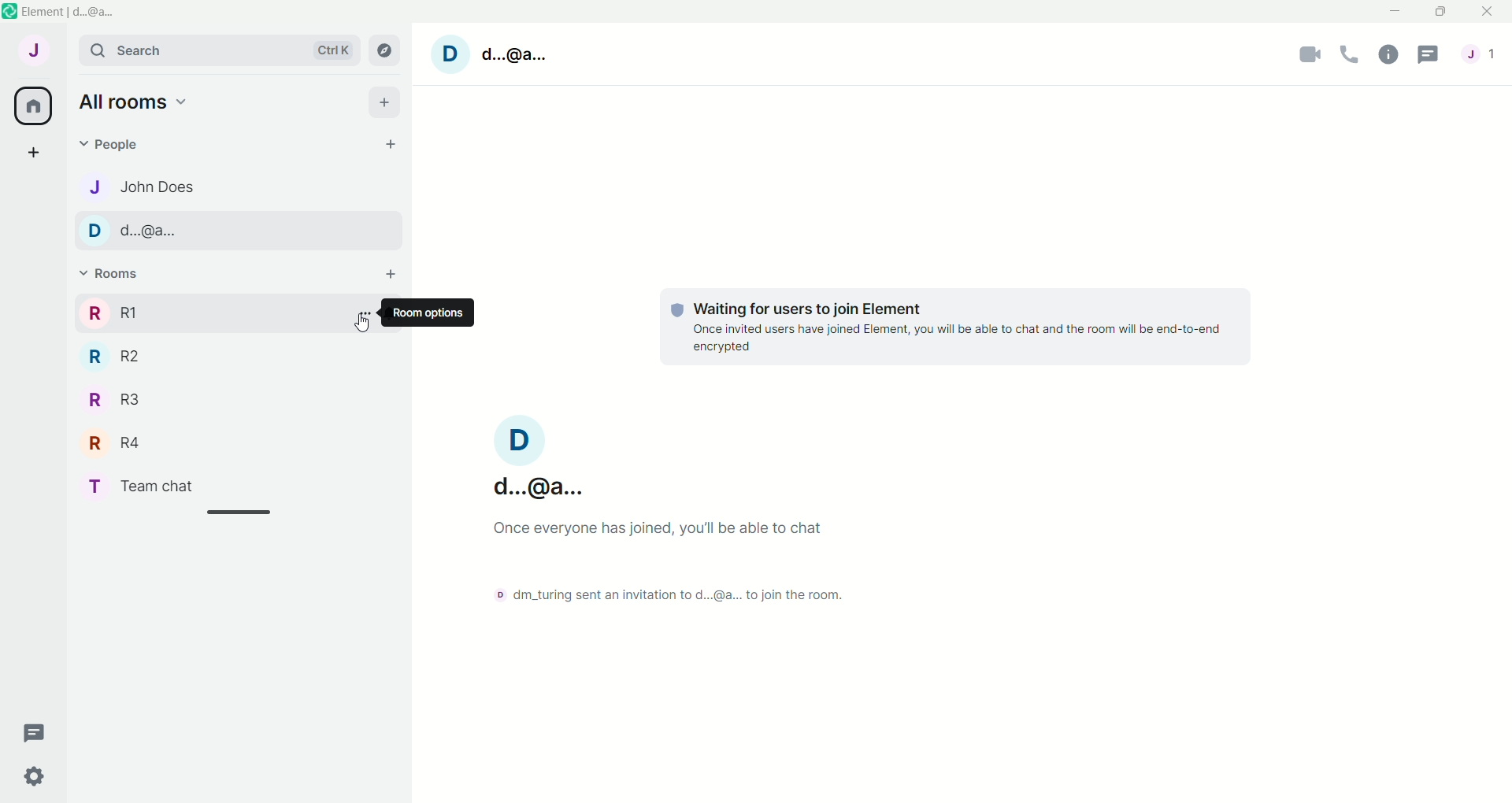 The height and width of the screenshot is (803, 1512). What do you see at coordinates (1348, 57) in the screenshot?
I see `voice call` at bounding box center [1348, 57].